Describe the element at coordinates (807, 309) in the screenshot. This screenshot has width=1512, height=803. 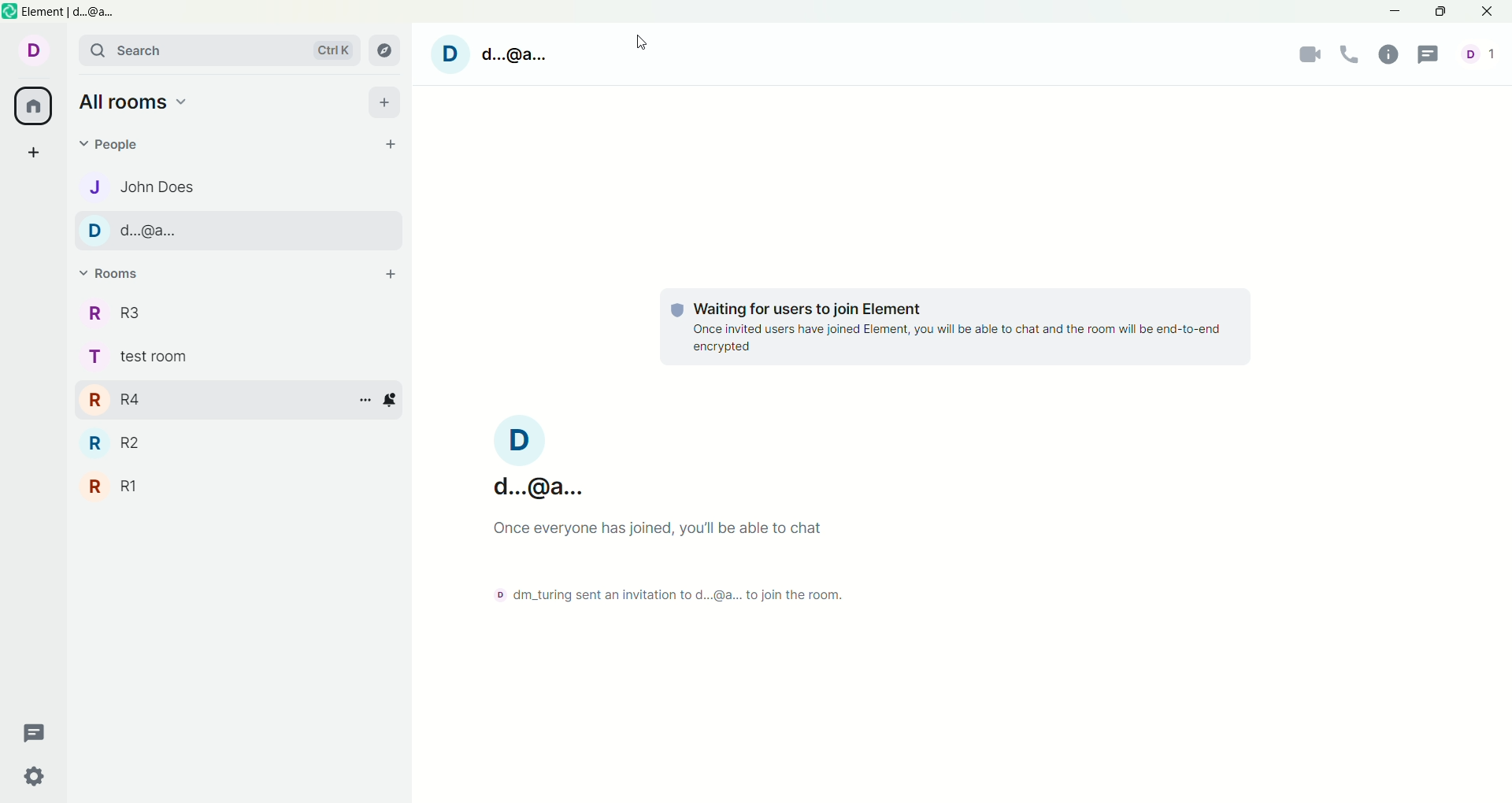
I see `Waiting for users to join Element` at that location.